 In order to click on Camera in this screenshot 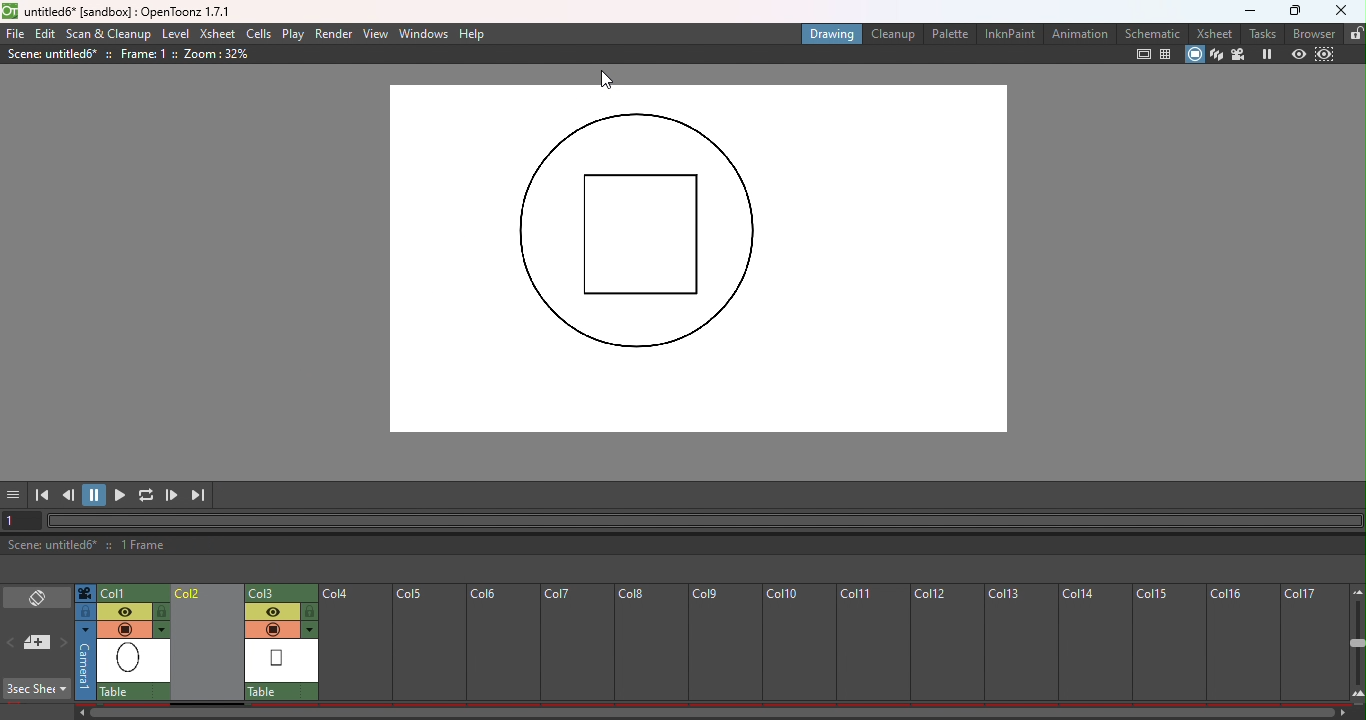, I will do `click(1240, 54)`.